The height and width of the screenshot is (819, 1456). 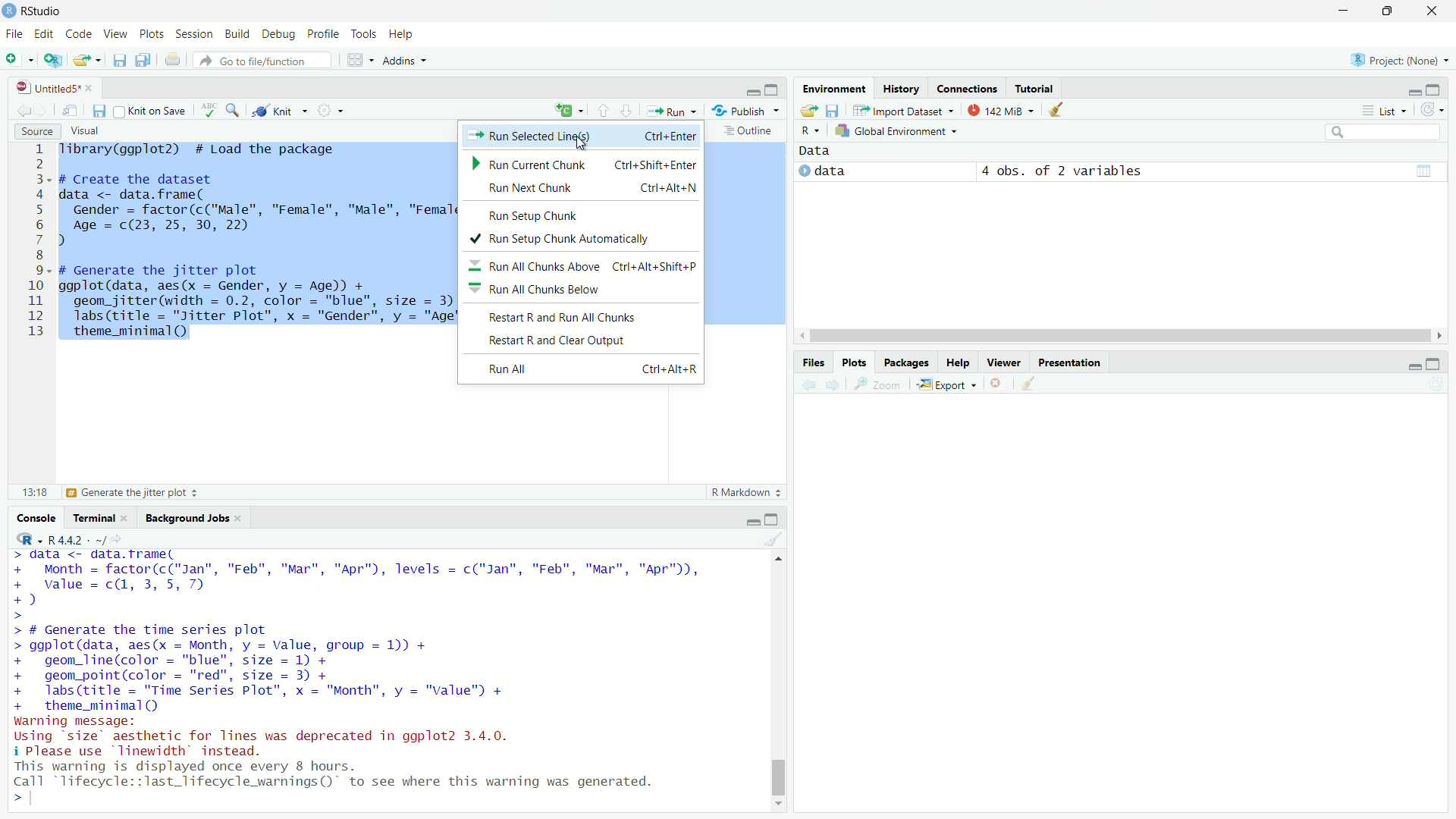 What do you see at coordinates (959, 364) in the screenshot?
I see `help` at bounding box center [959, 364].